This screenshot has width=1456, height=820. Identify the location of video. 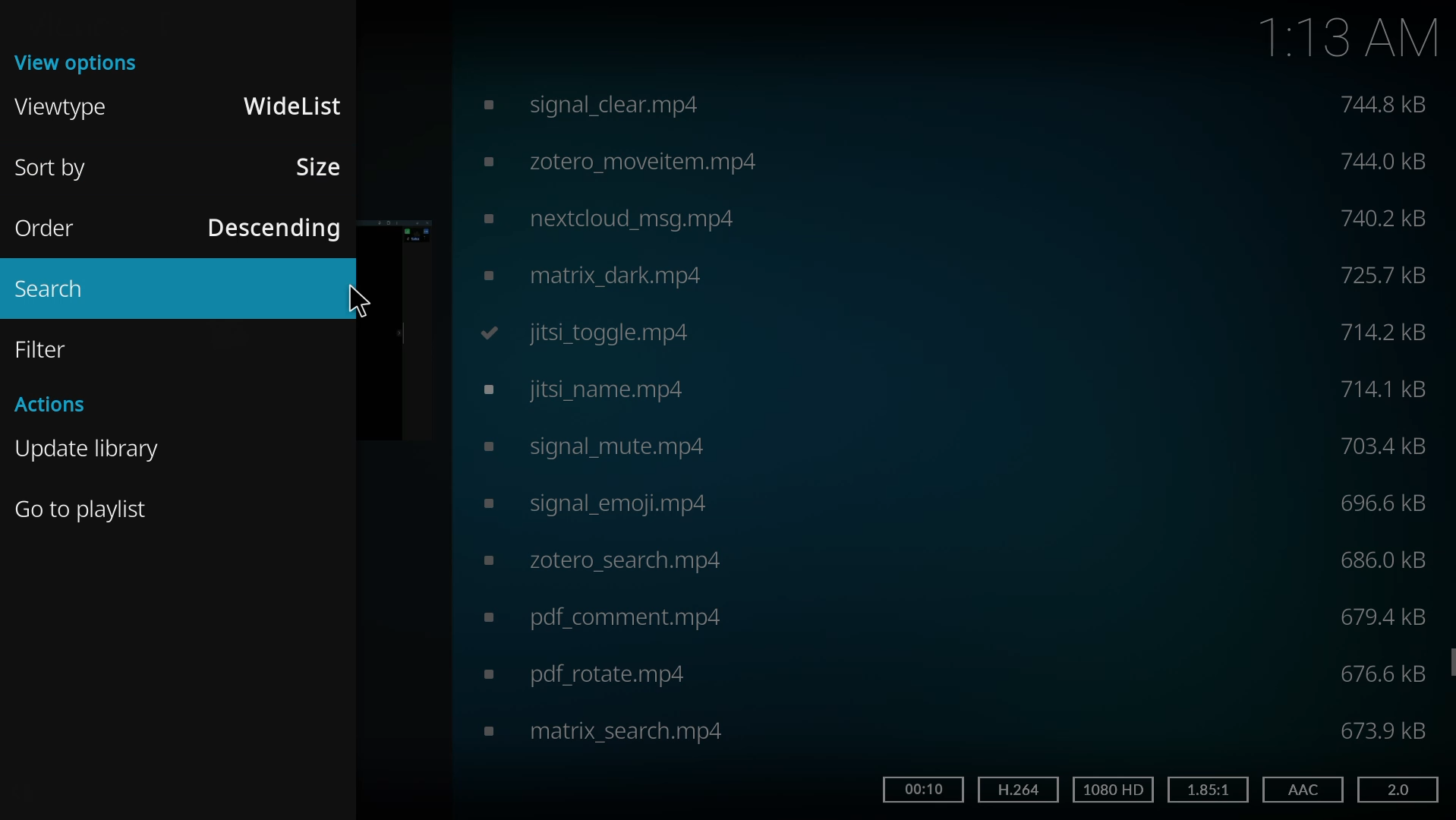
(610, 219).